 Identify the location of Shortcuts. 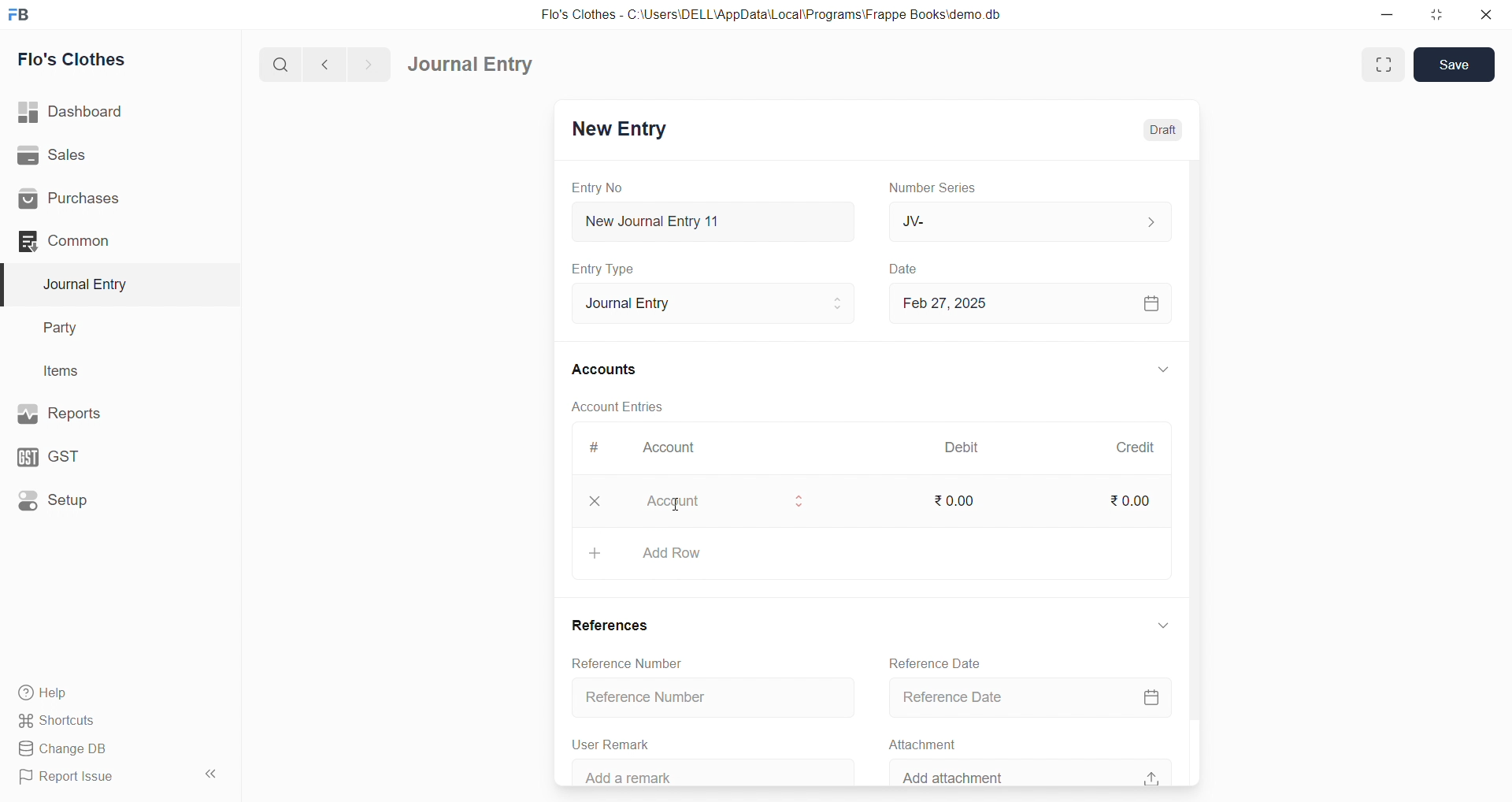
(95, 722).